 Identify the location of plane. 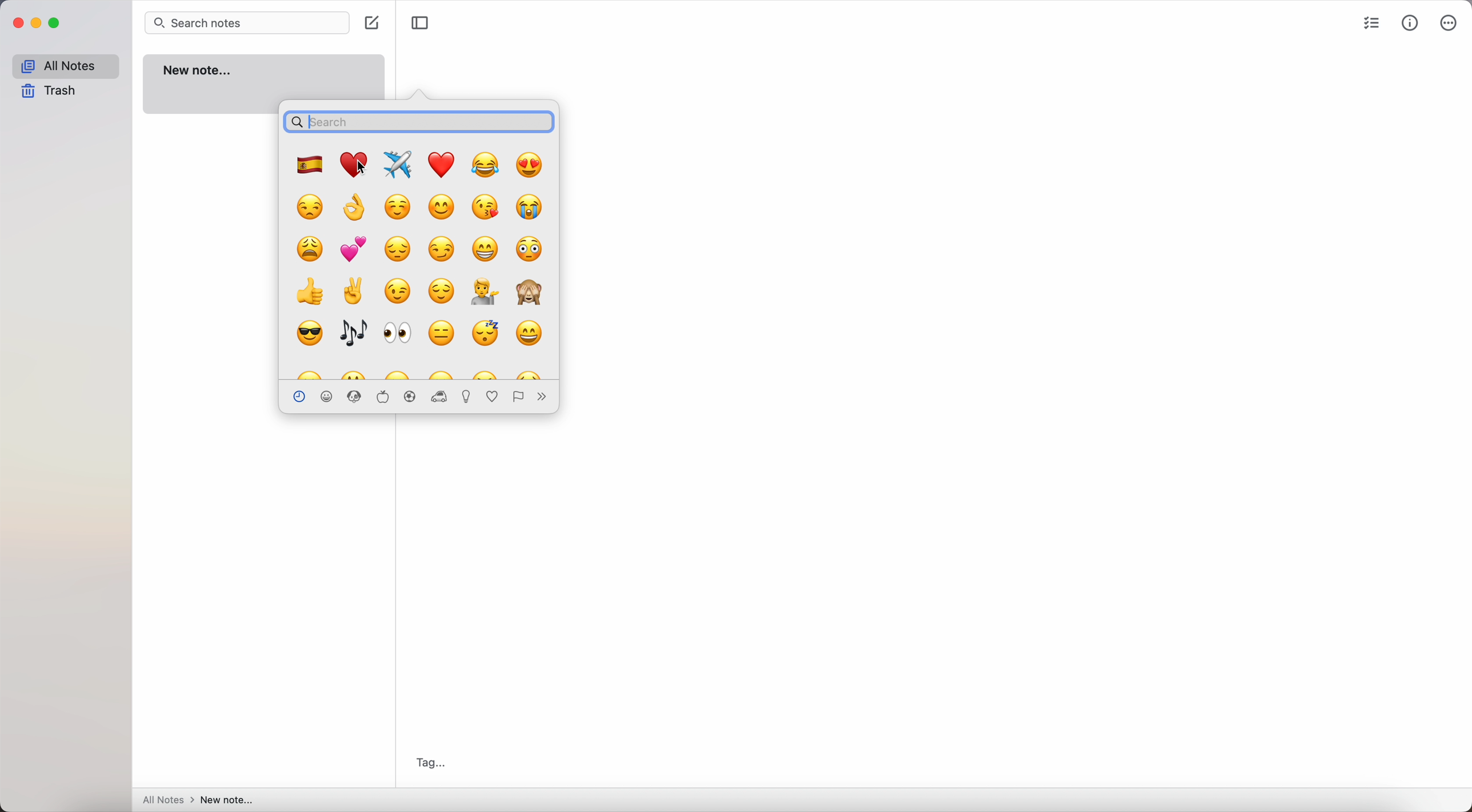
(398, 163).